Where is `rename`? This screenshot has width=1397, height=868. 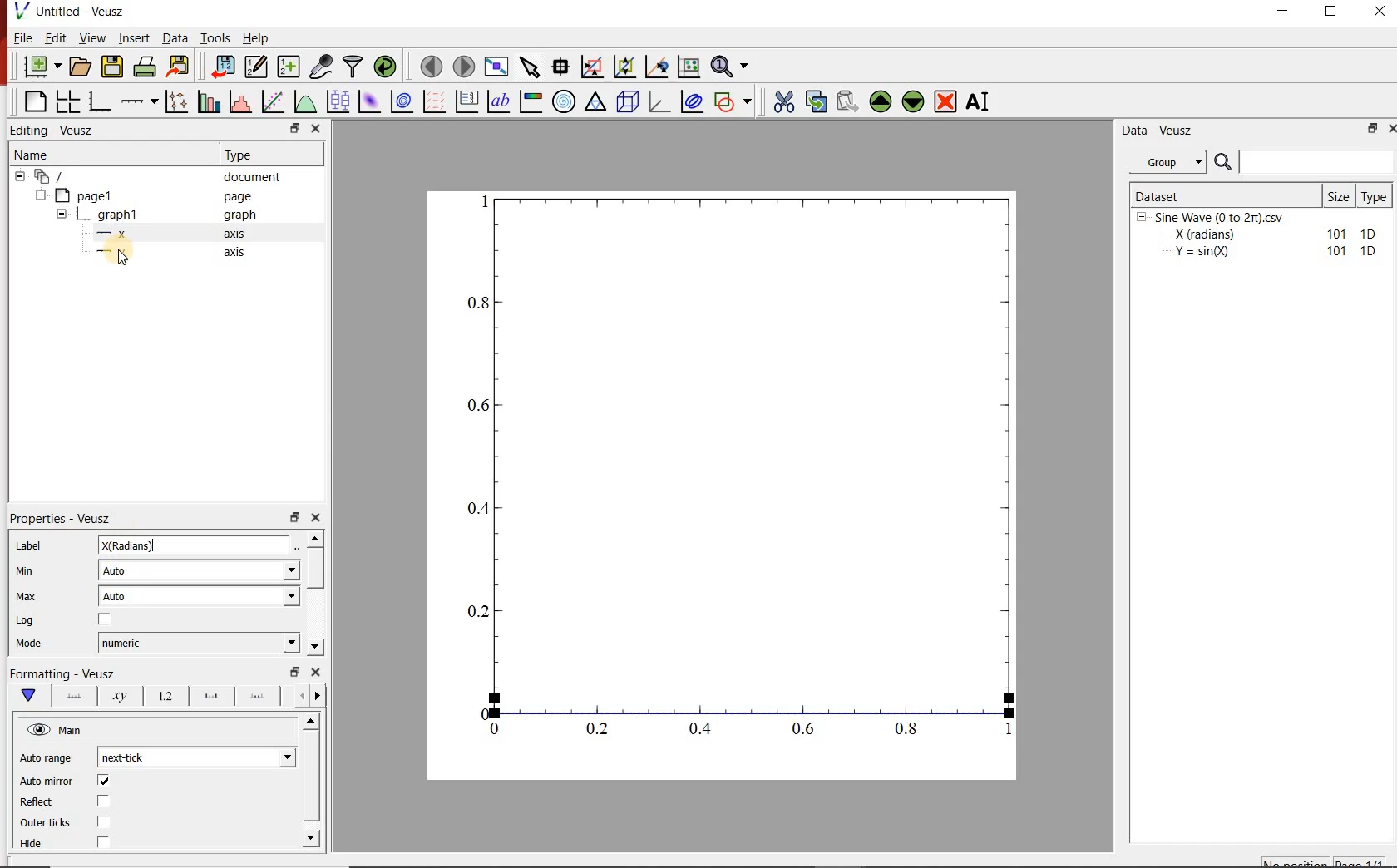 rename is located at coordinates (981, 103).